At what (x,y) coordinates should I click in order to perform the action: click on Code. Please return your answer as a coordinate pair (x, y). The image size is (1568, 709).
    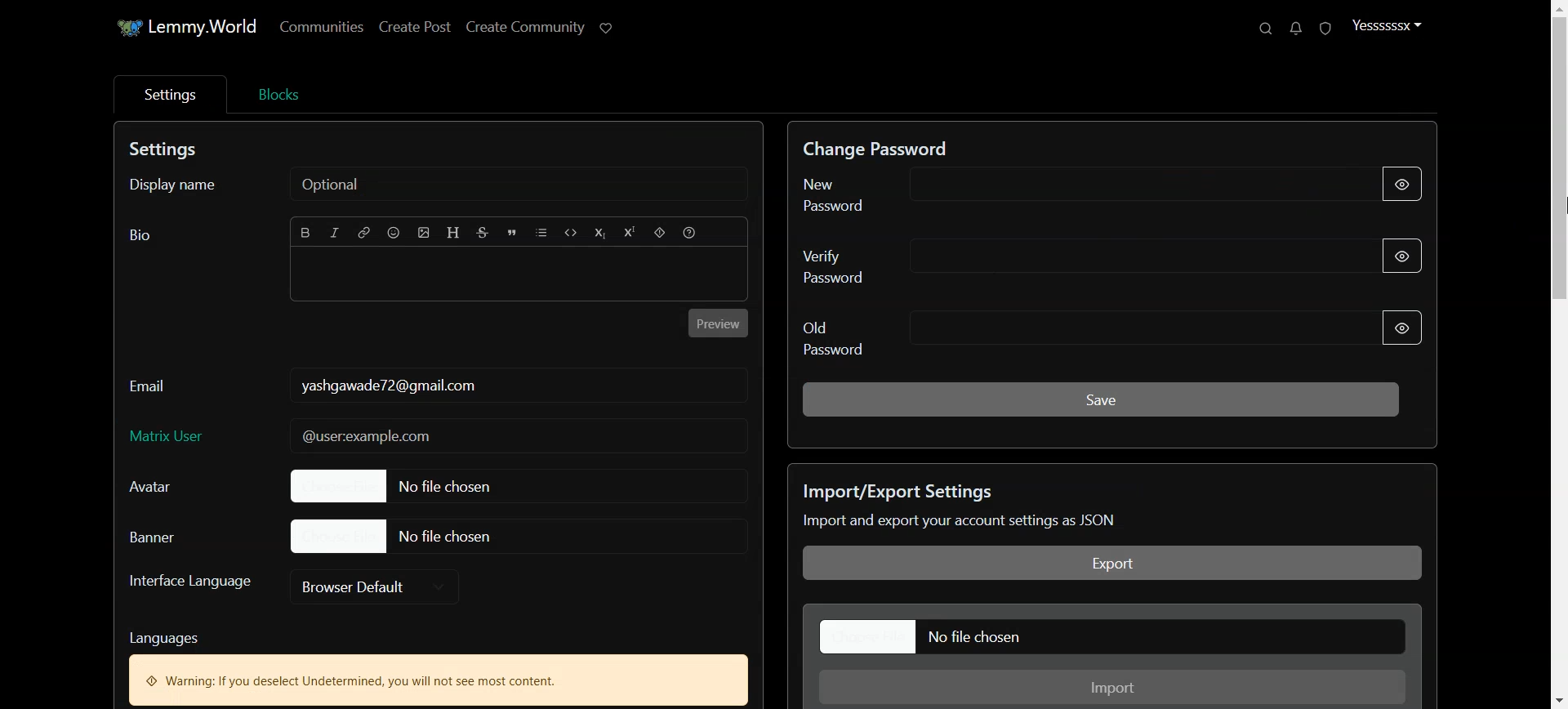
    Looking at the image, I should click on (572, 233).